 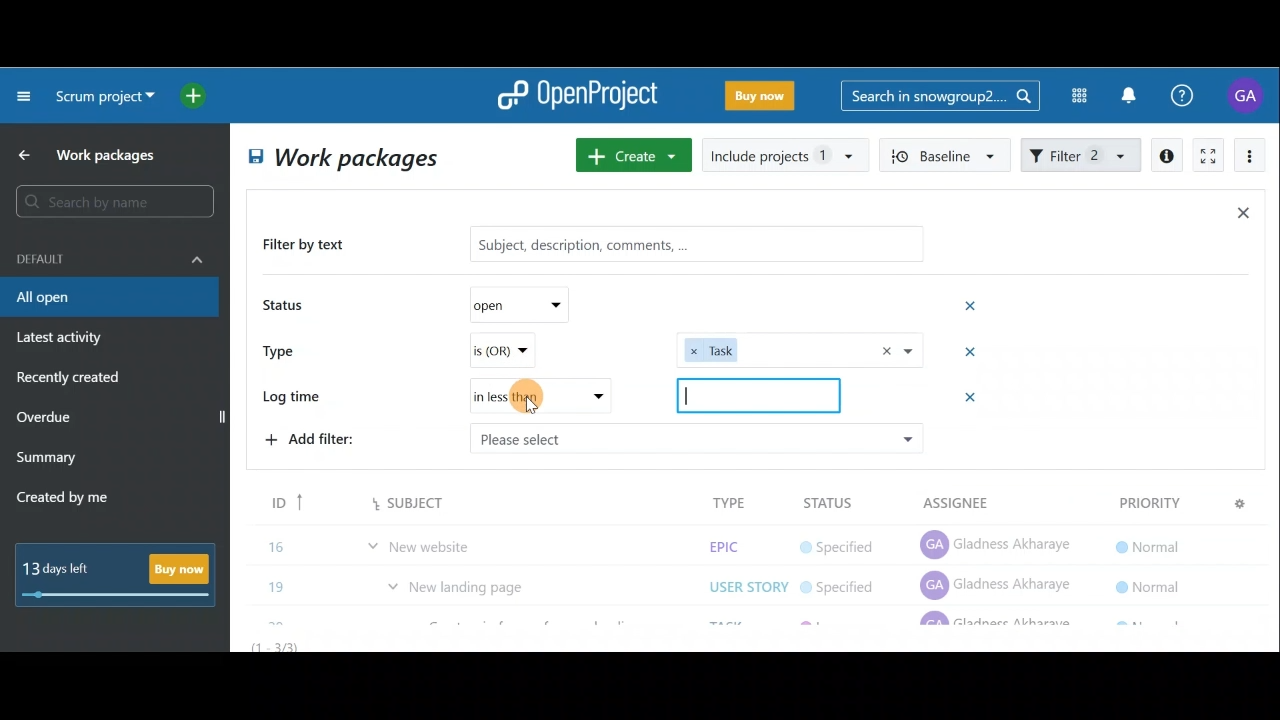 I want to click on Summary, so click(x=47, y=460).